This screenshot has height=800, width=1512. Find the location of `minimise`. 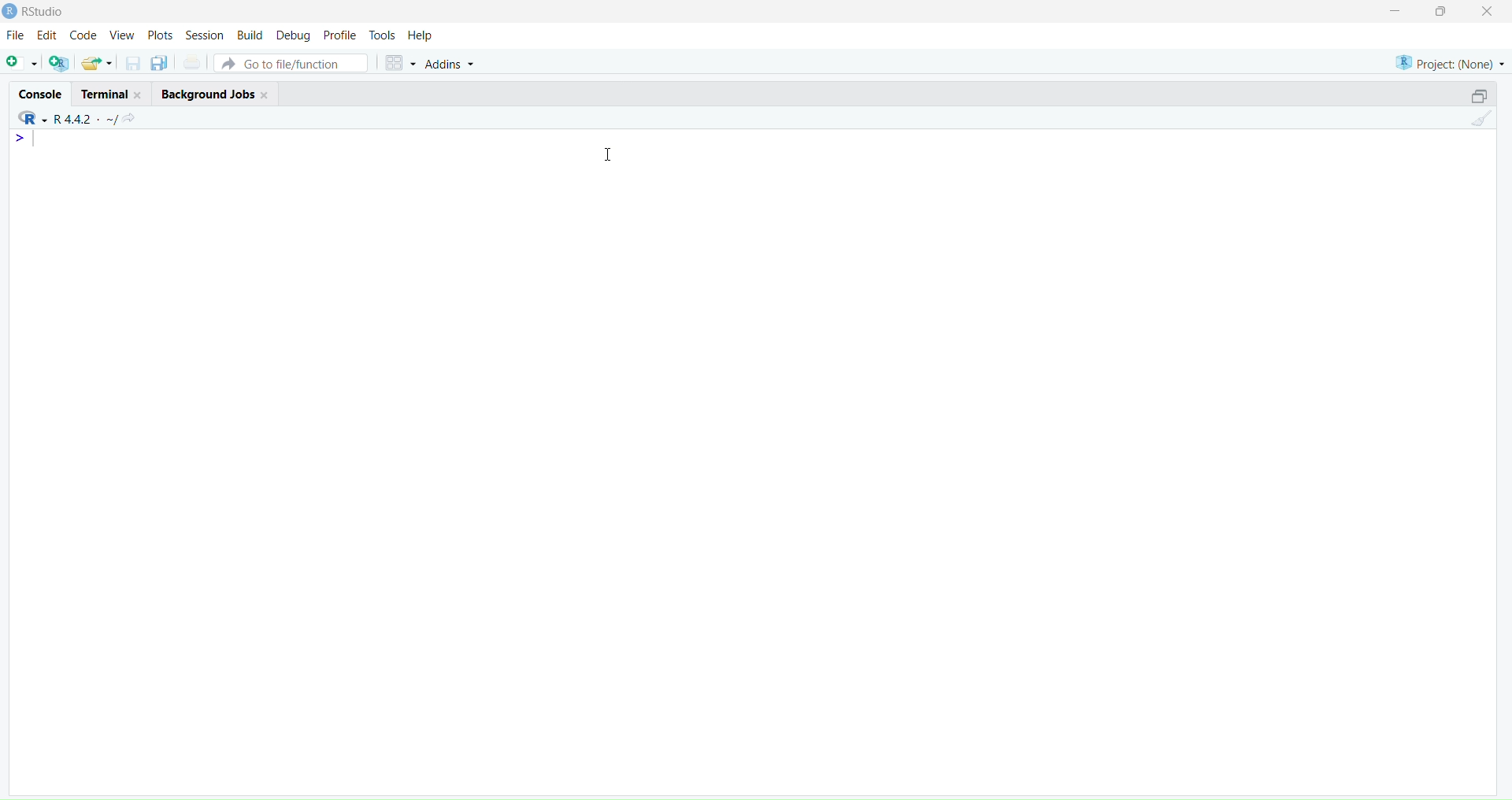

minimise is located at coordinates (1385, 9).